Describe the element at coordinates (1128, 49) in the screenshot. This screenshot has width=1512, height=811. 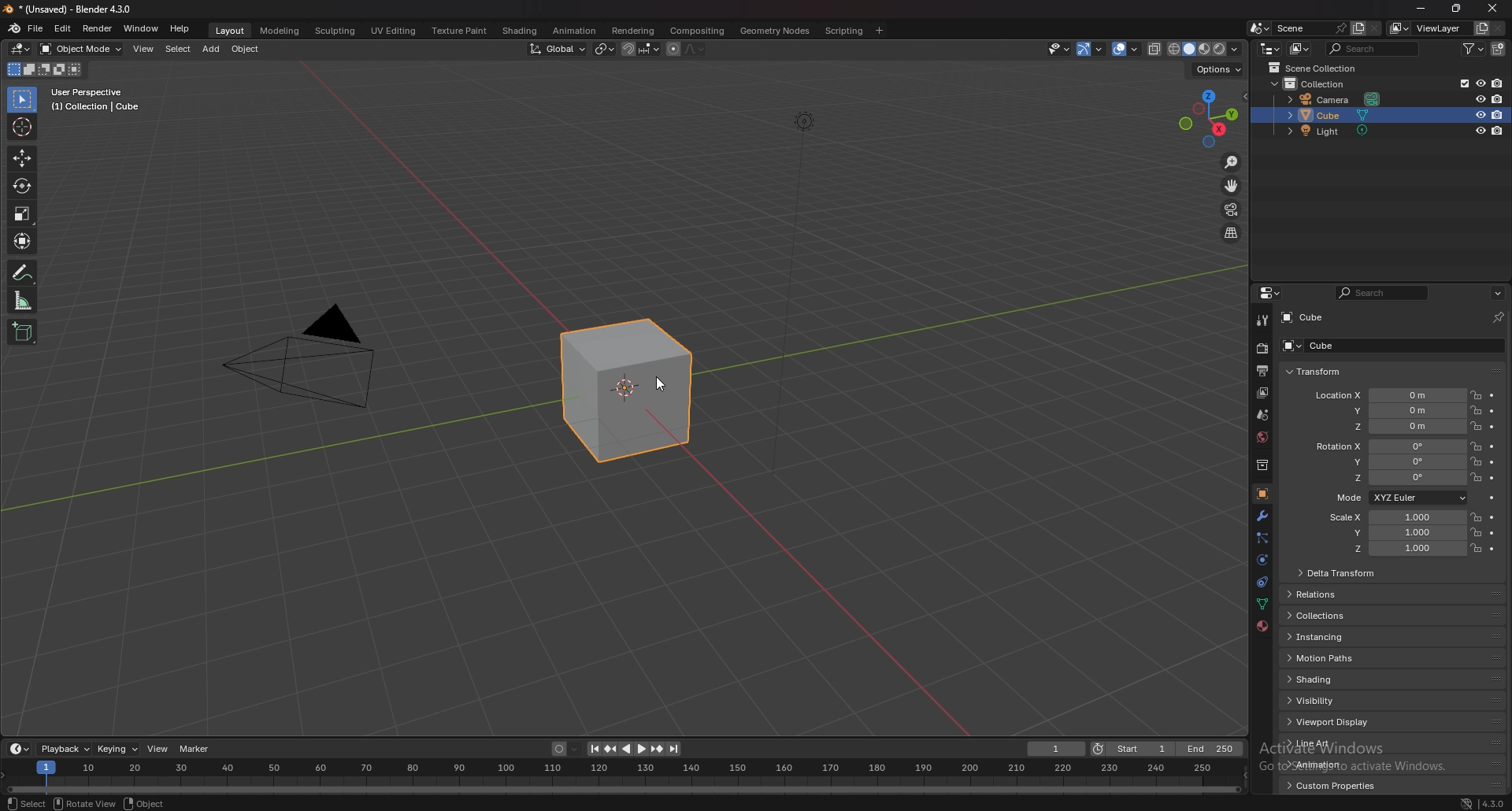
I see `show overlay` at that location.